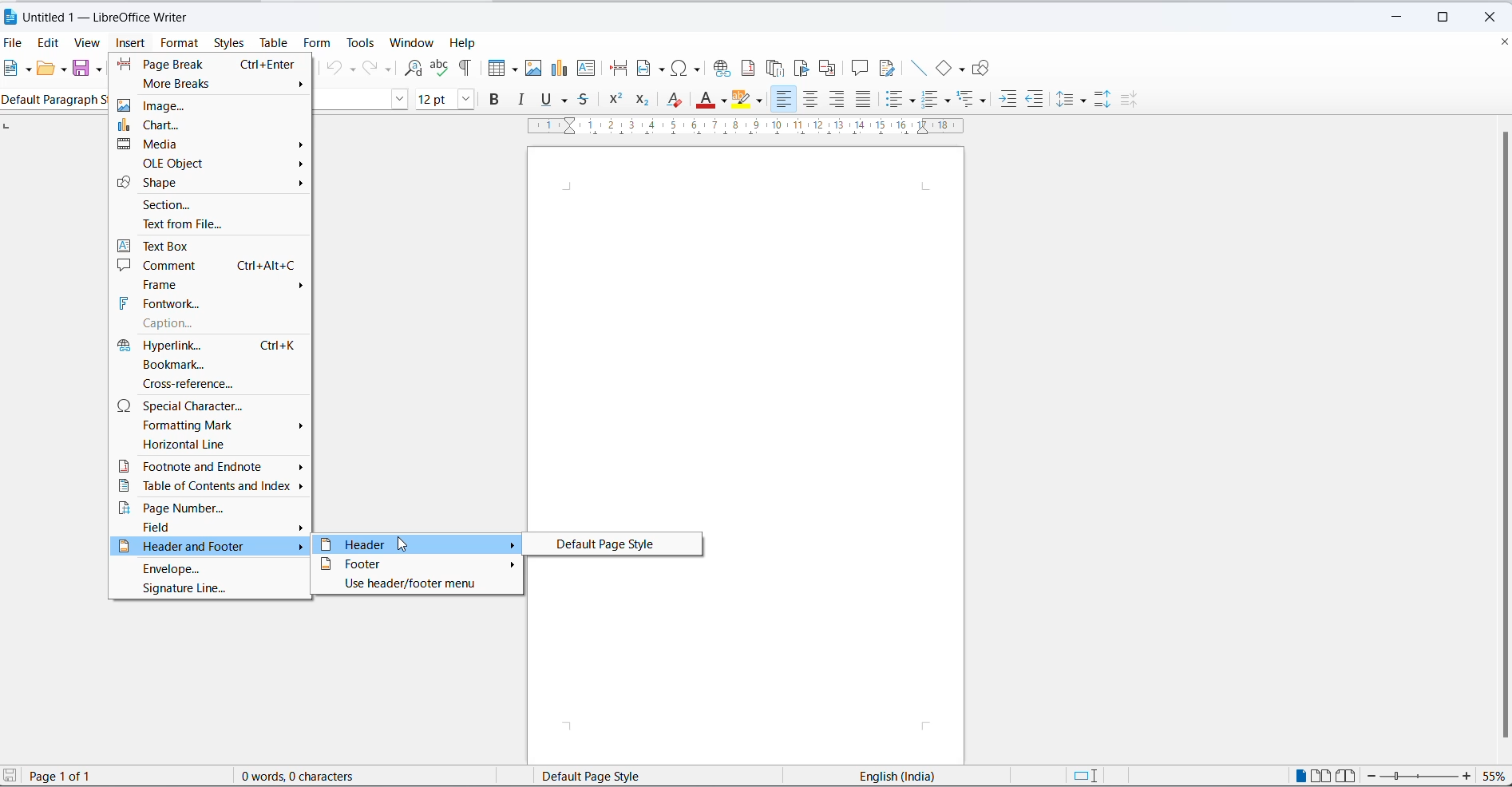 The height and width of the screenshot is (787, 1512). Describe the element at coordinates (212, 364) in the screenshot. I see `bookmark` at that location.